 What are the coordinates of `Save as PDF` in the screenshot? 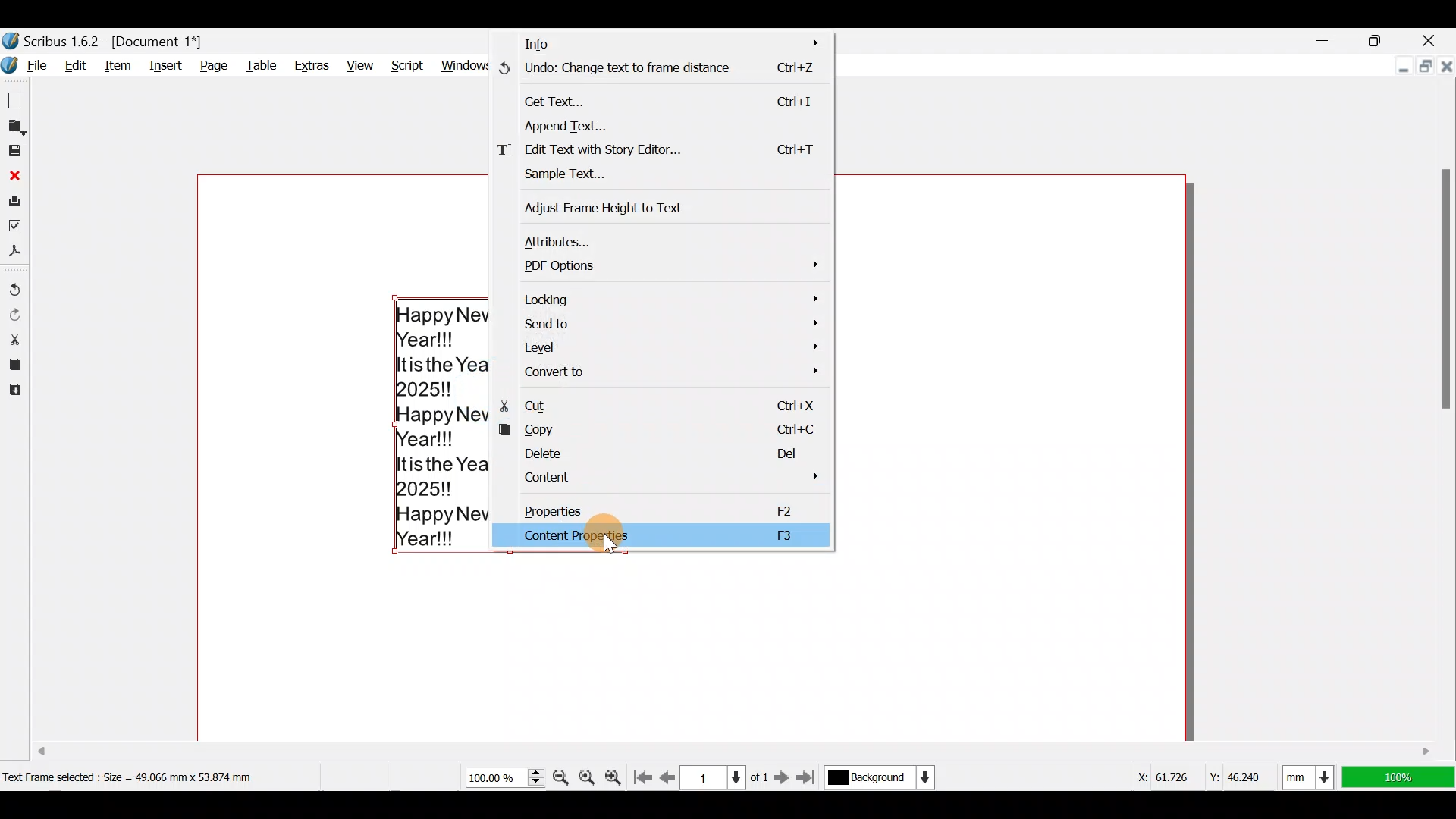 It's located at (18, 255).